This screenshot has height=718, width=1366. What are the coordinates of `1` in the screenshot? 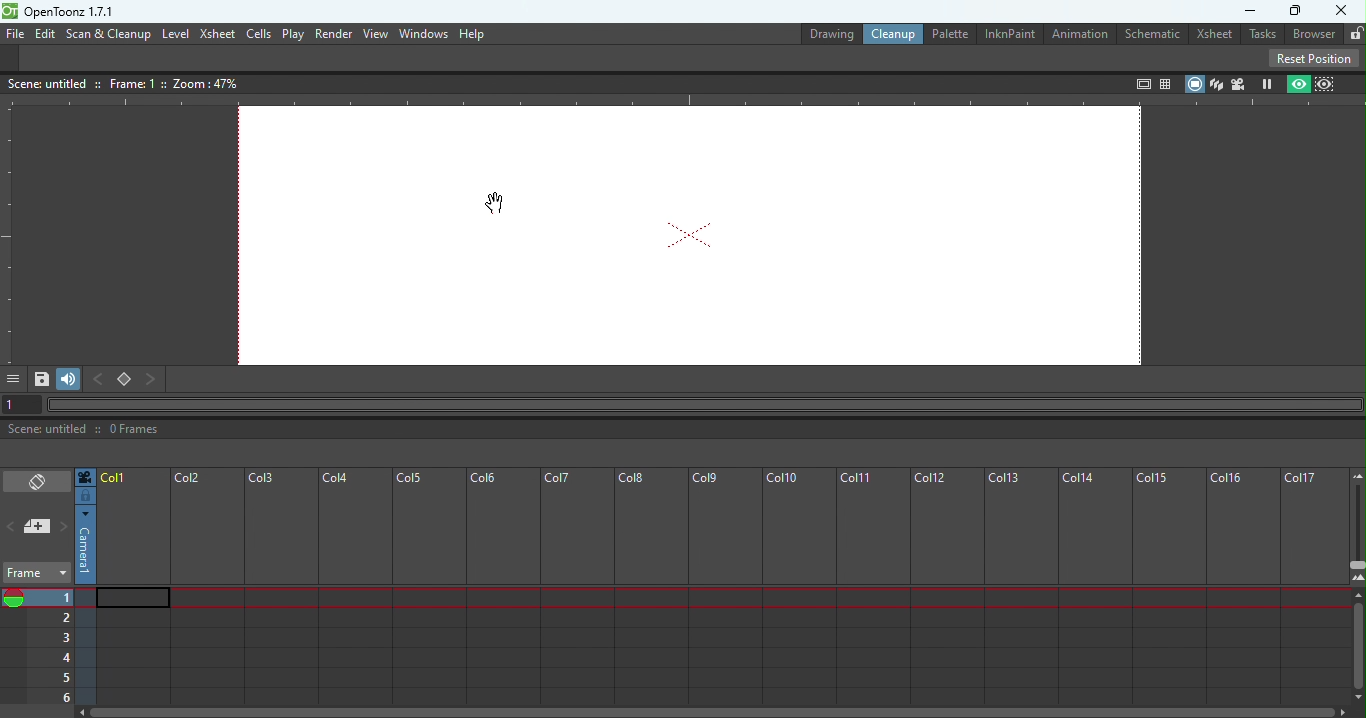 It's located at (16, 406).